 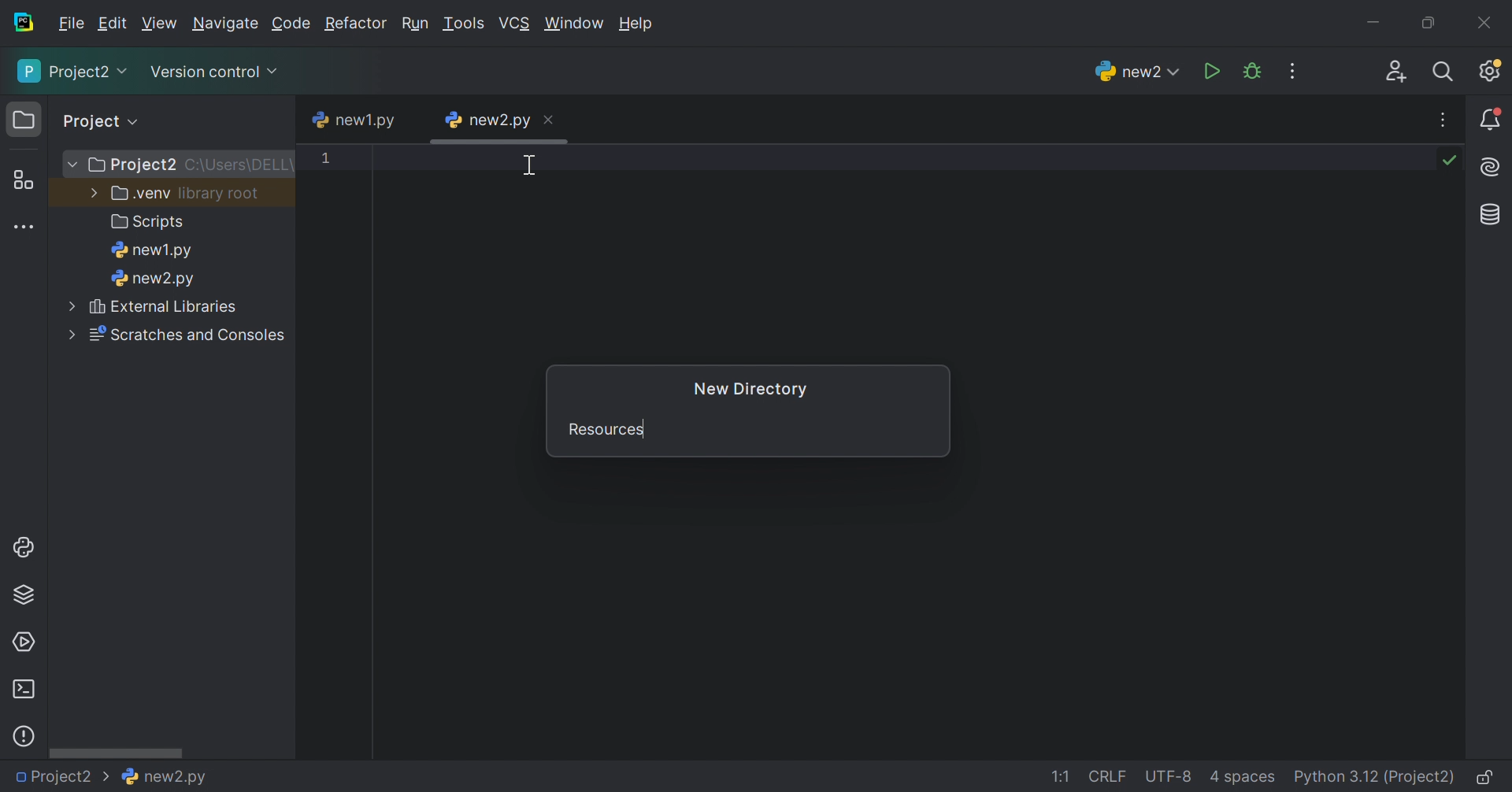 I want to click on Project icon, so click(x=24, y=117).